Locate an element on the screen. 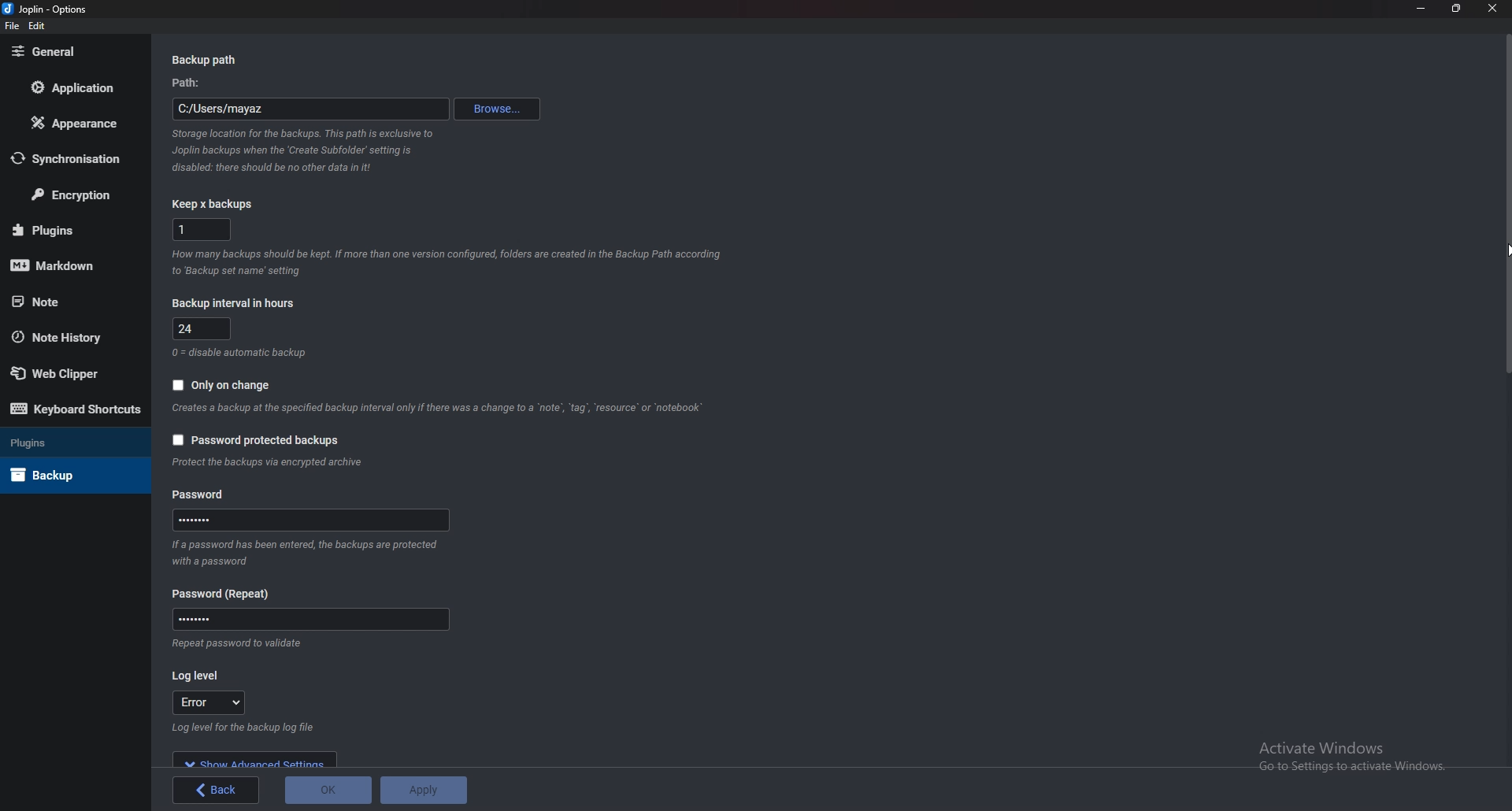  Backup interval in hours is located at coordinates (239, 302).